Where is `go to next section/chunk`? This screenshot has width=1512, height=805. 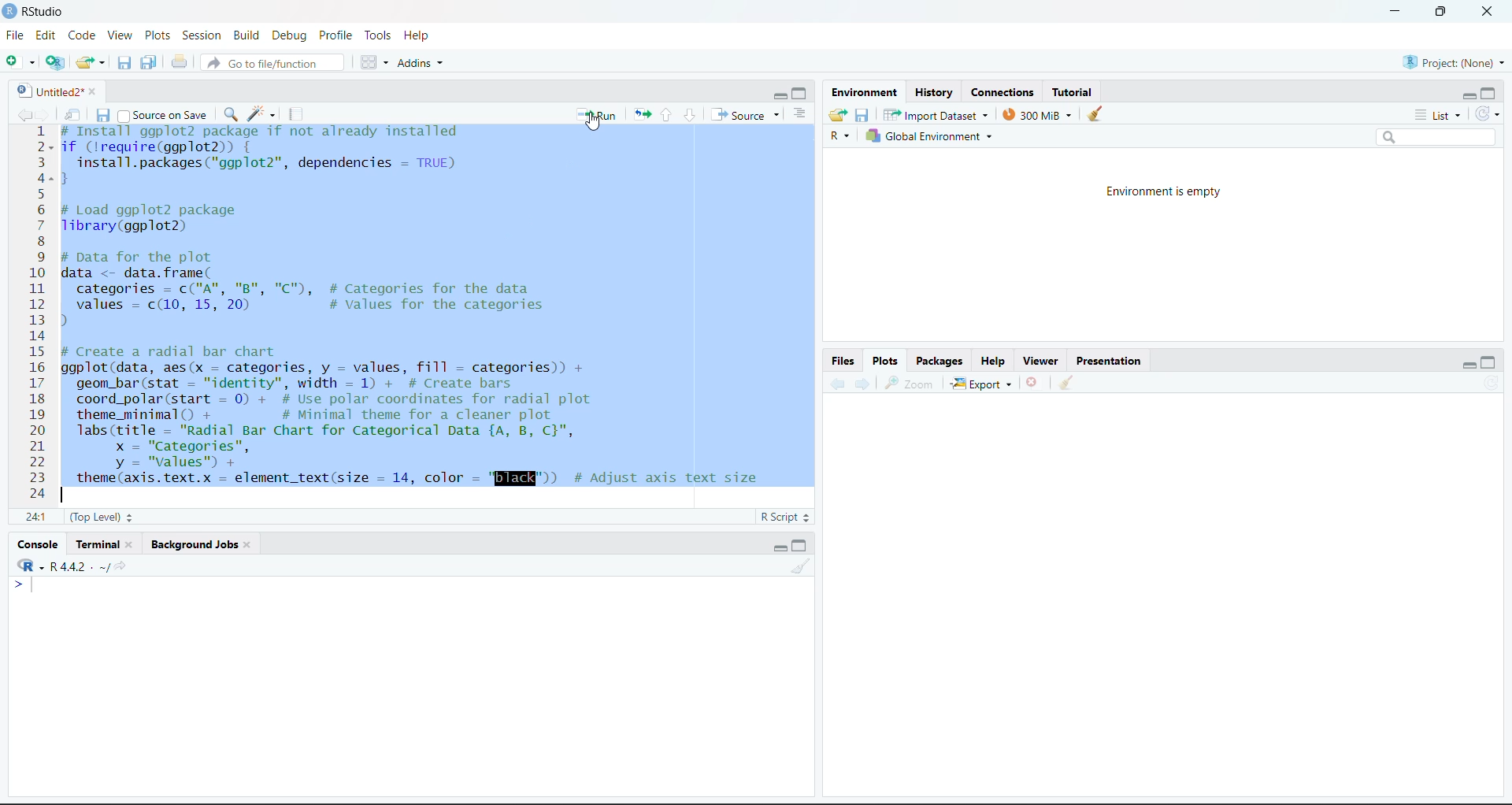 go to next section/chunk is located at coordinates (668, 114).